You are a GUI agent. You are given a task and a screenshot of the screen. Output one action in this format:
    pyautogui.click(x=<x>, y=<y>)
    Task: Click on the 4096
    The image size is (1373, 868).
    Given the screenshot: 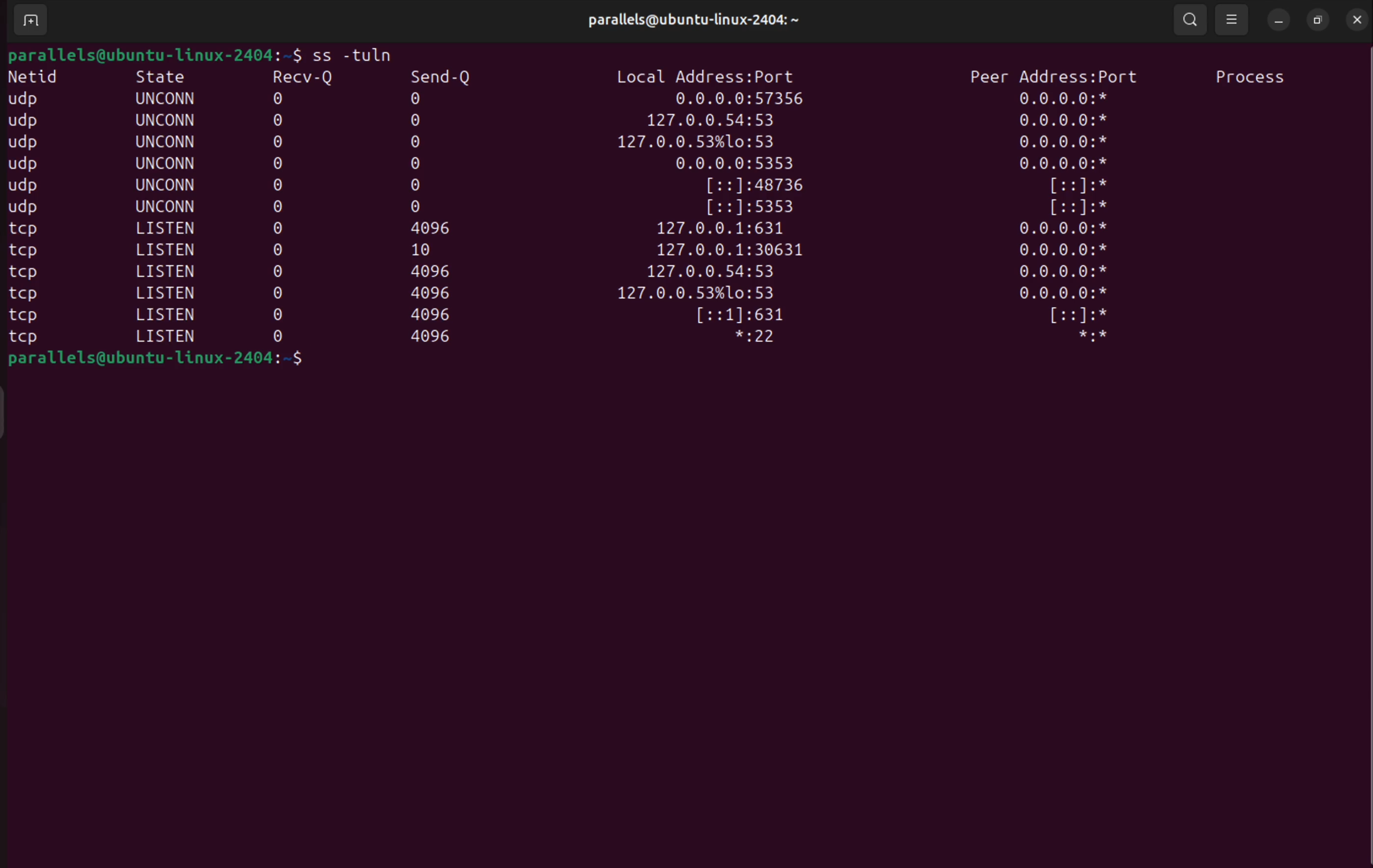 What is the action you would take?
    pyautogui.click(x=438, y=273)
    